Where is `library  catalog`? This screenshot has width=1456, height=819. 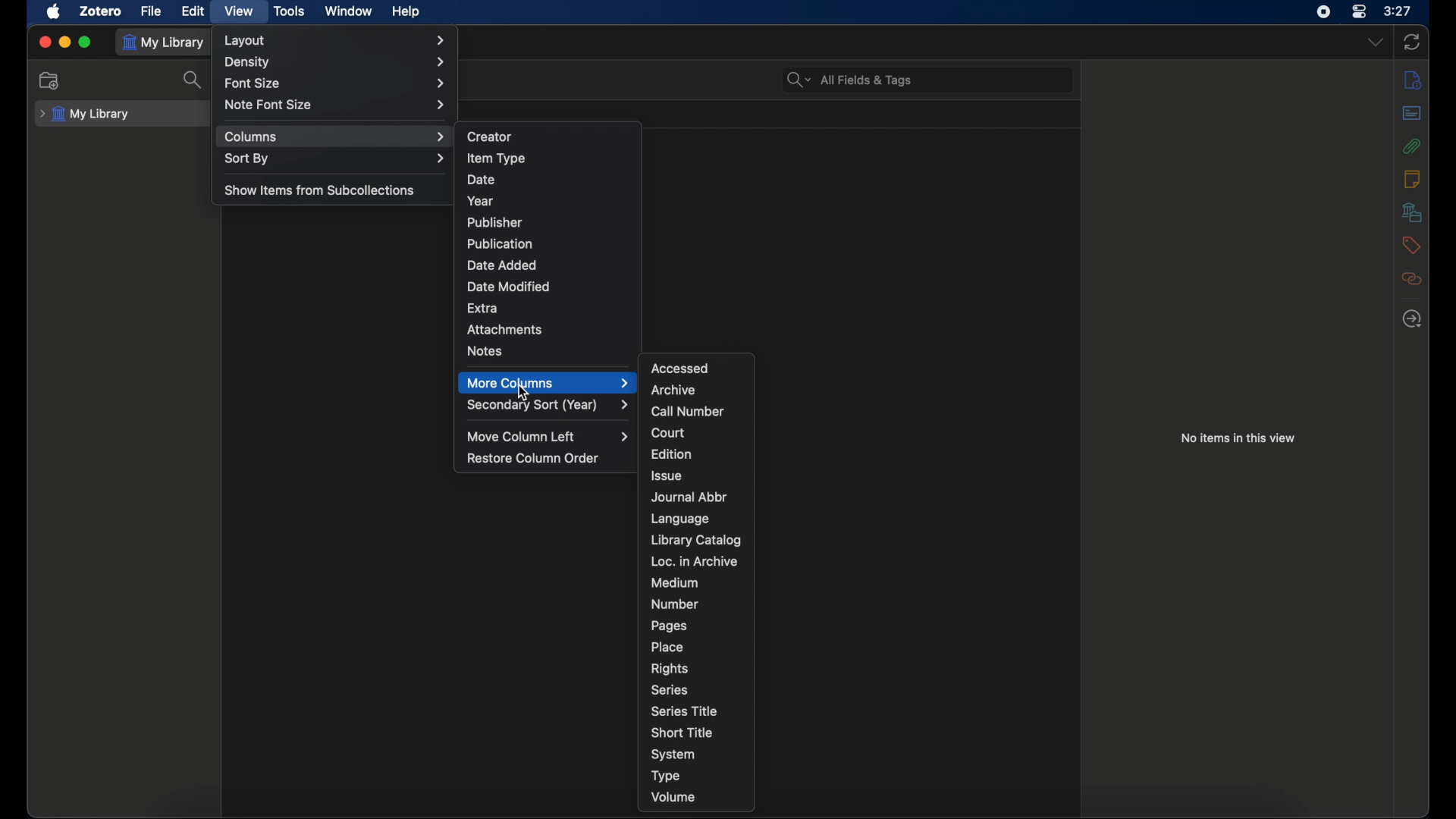 library  catalog is located at coordinates (696, 539).